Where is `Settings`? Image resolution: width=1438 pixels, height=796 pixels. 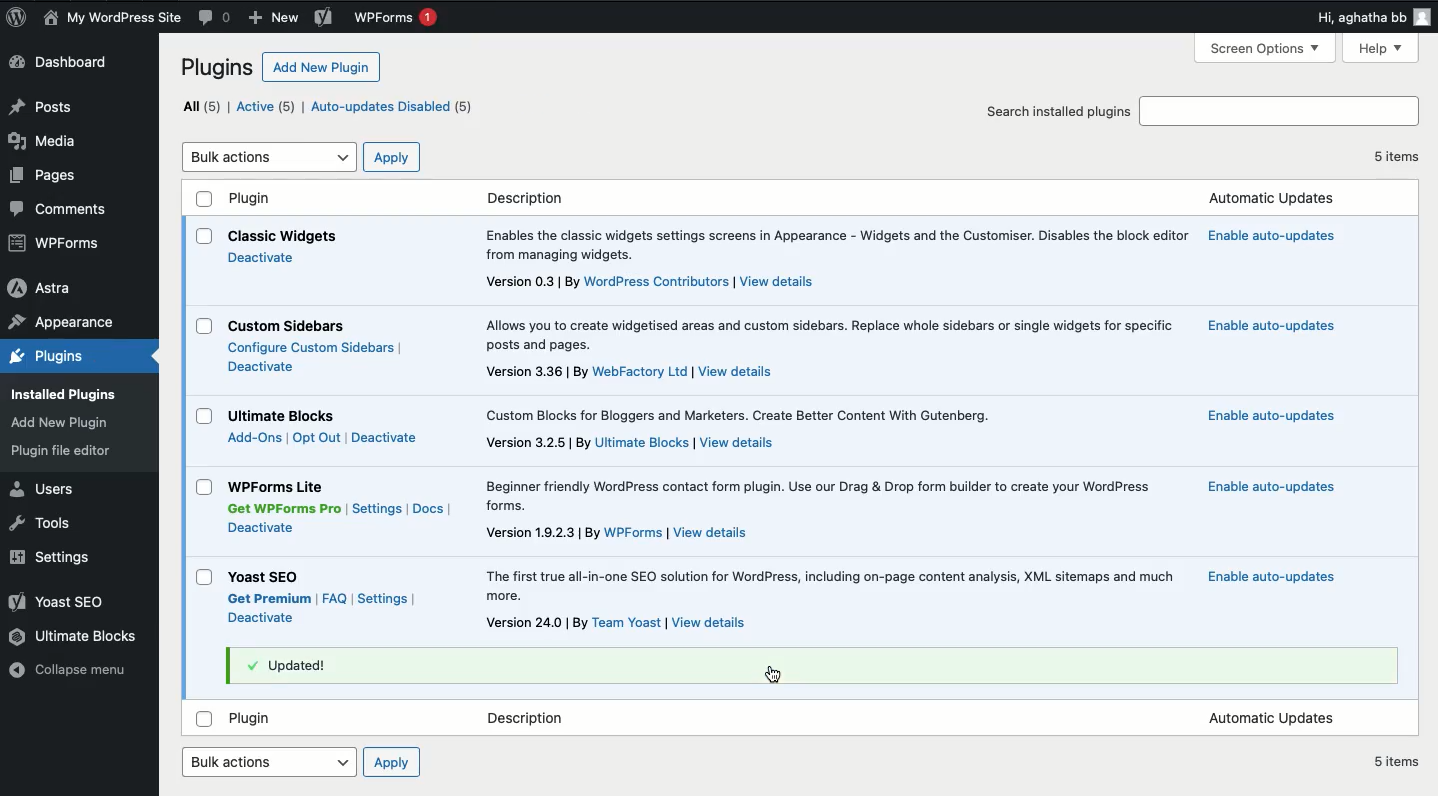
Settings is located at coordinates (378, 508).